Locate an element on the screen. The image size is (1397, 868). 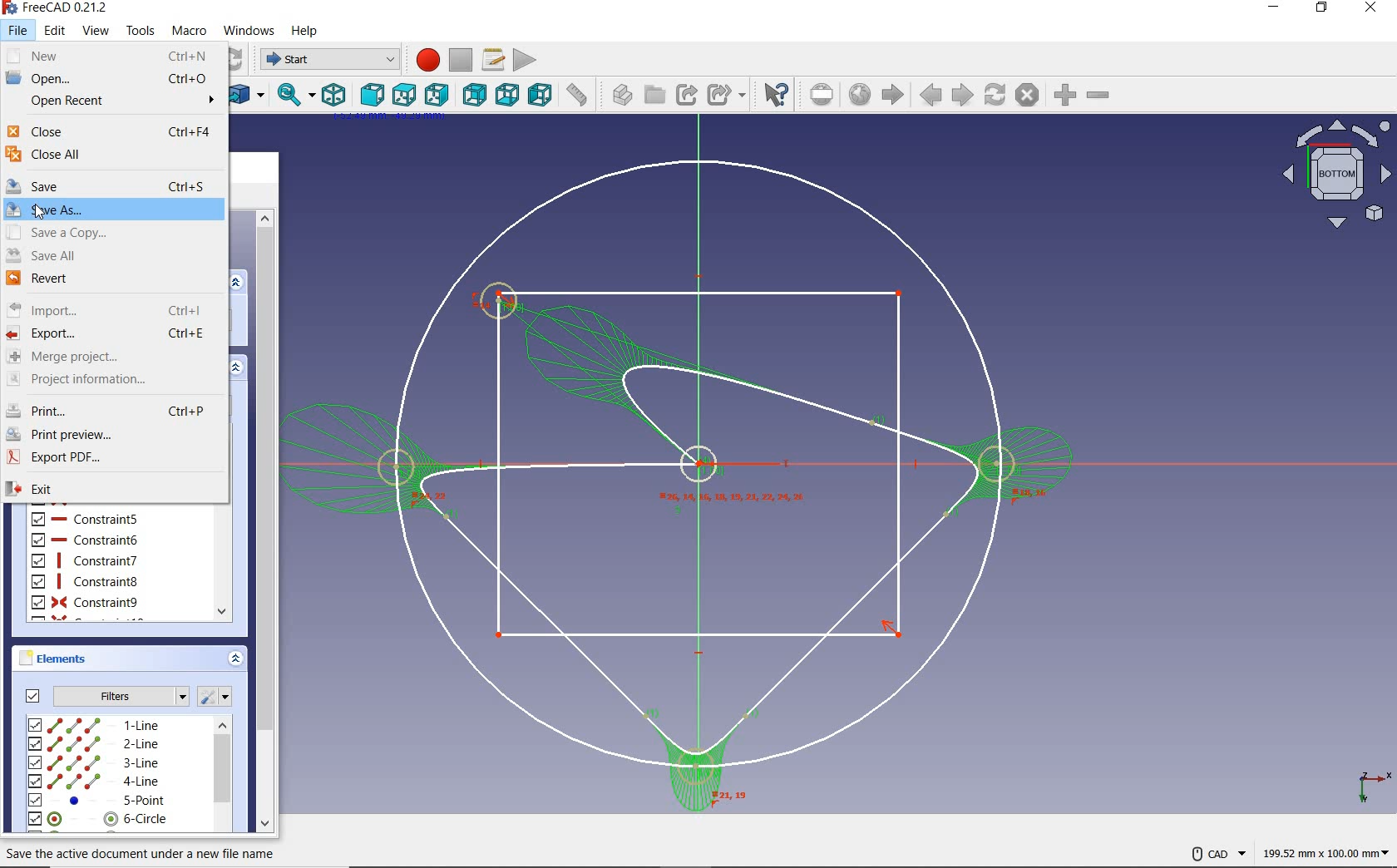
filters is located at coordinates (101, 695).